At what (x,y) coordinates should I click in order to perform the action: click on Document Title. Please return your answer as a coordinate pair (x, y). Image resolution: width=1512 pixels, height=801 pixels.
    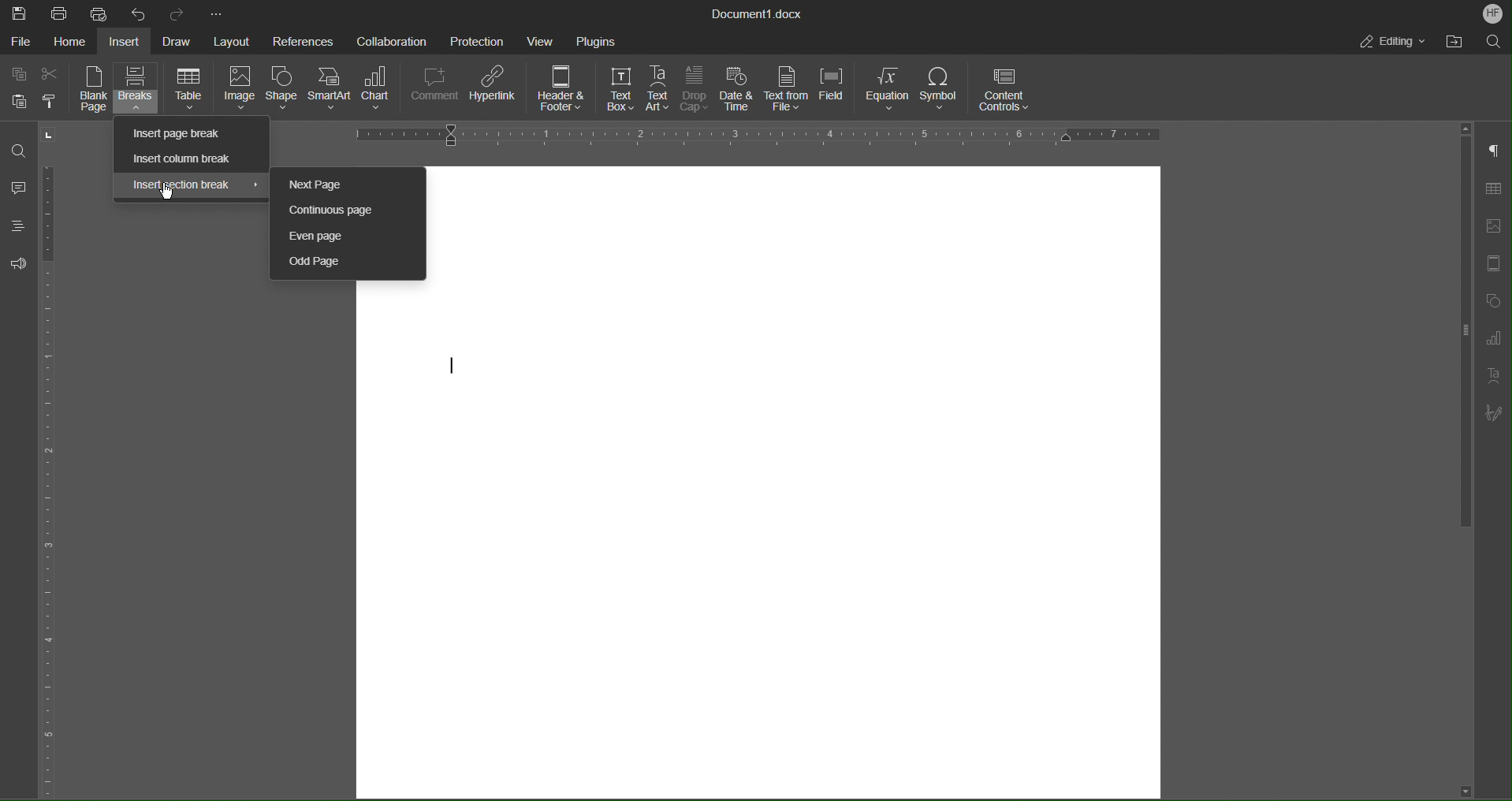
    Looking at the image, I should click on (753, 13).